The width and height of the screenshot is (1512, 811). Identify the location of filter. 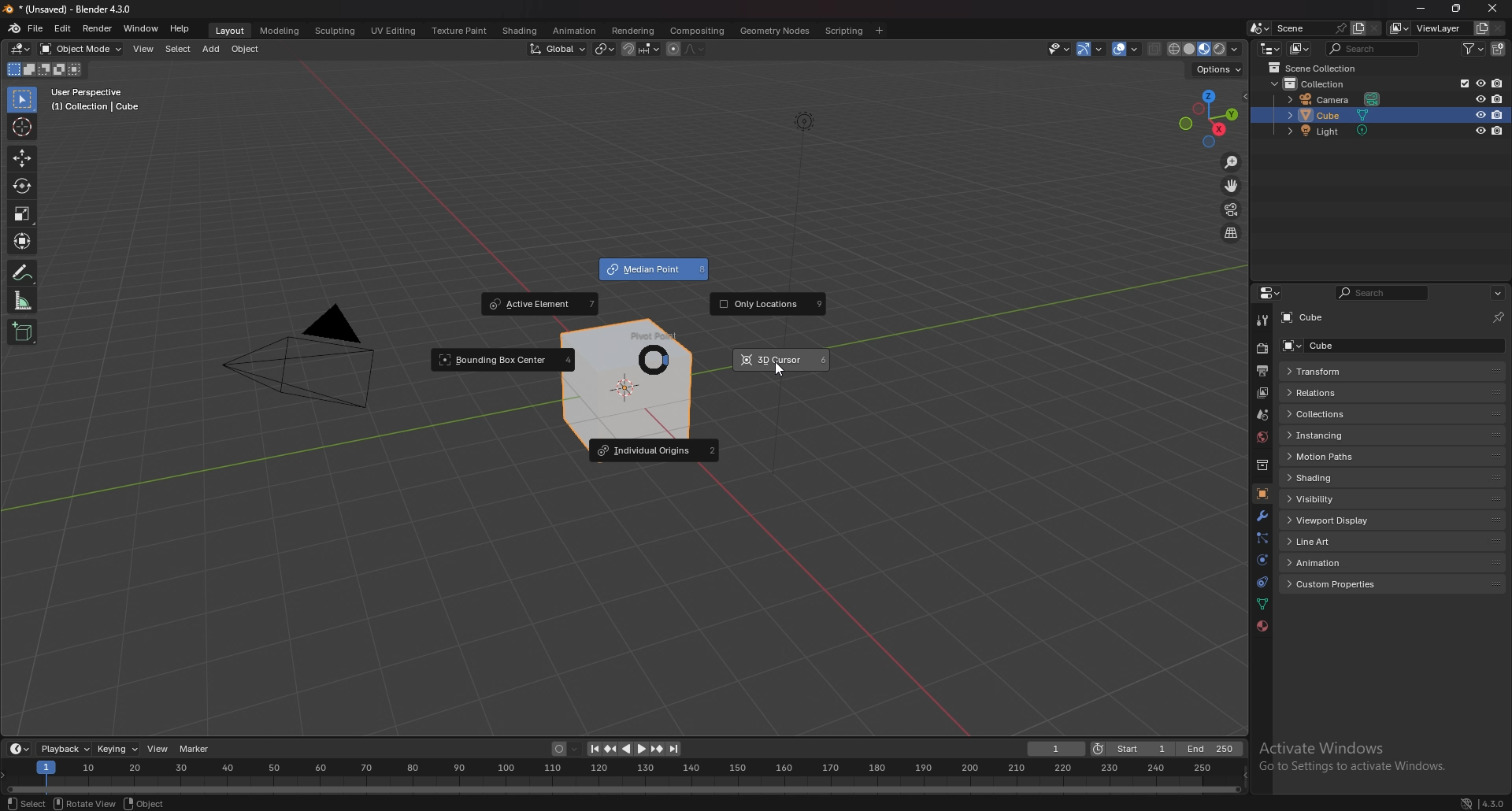
(1473, 48).